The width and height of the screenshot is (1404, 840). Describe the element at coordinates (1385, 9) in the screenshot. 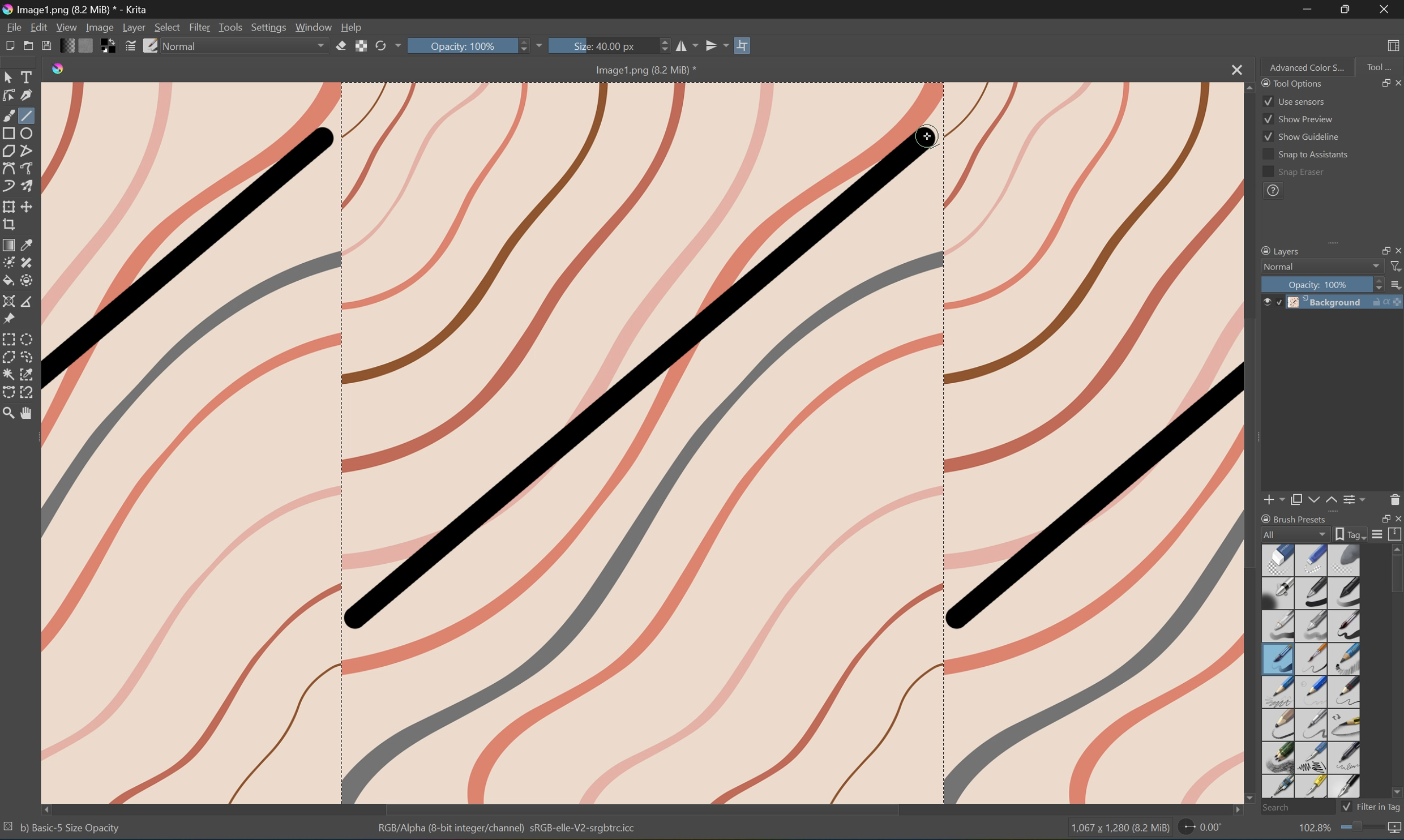

I see `Close` at that location.